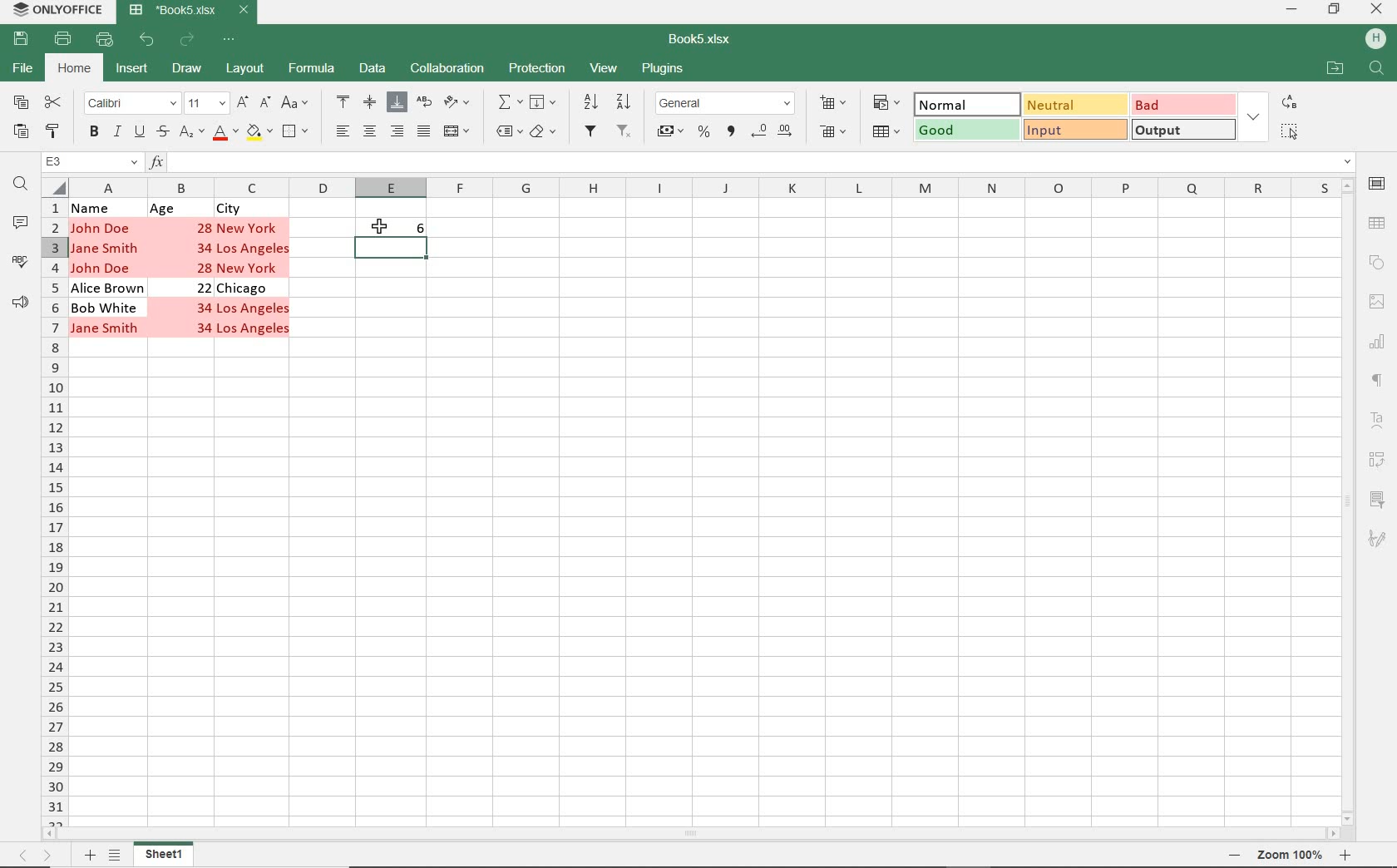 The image size is (1397, 868). Describe the element at coordinates (835, 104) in the screenshot. I see `INSERT CELLS` at that location.